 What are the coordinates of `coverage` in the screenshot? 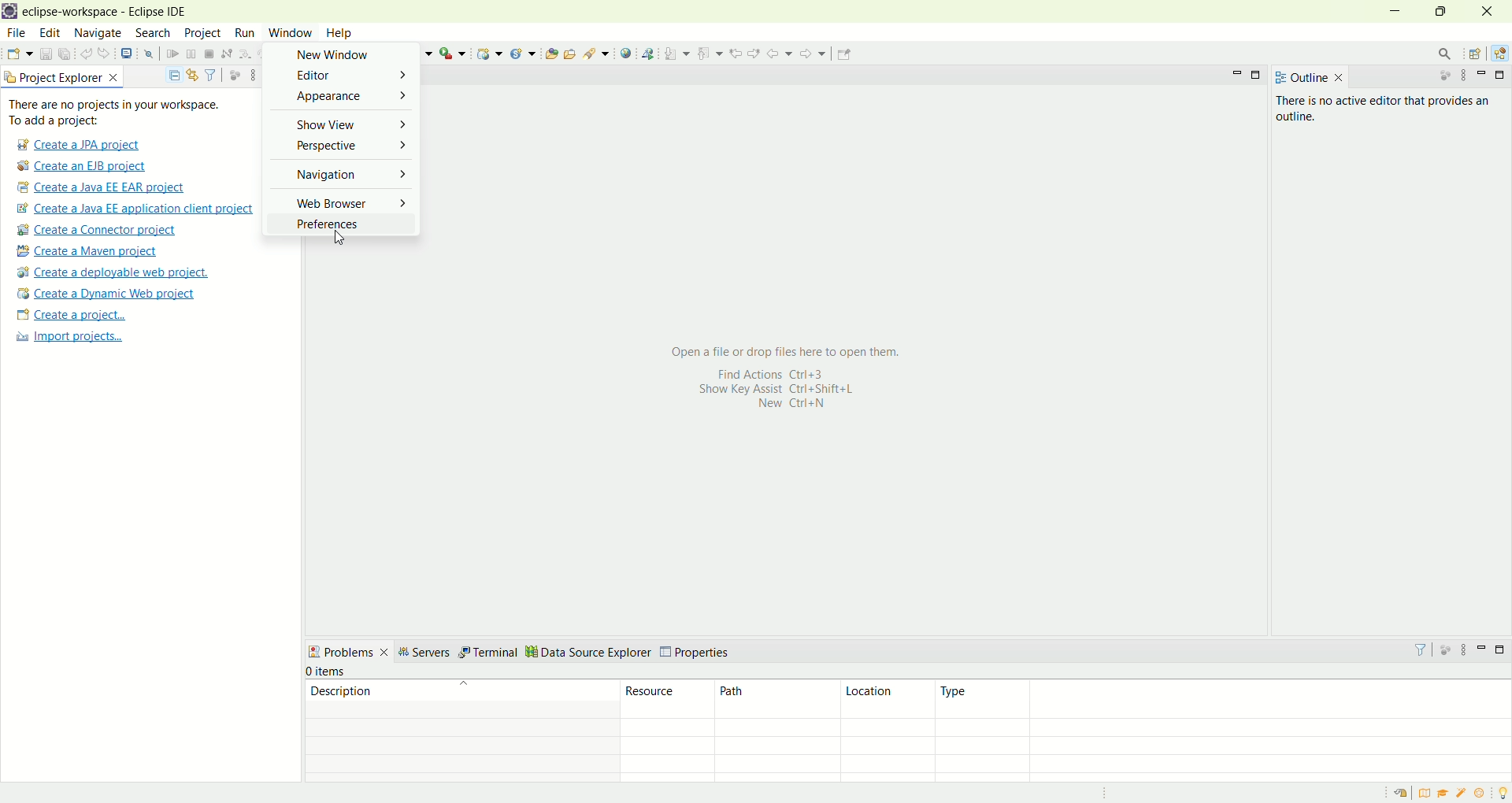 It's located at (419, 53).